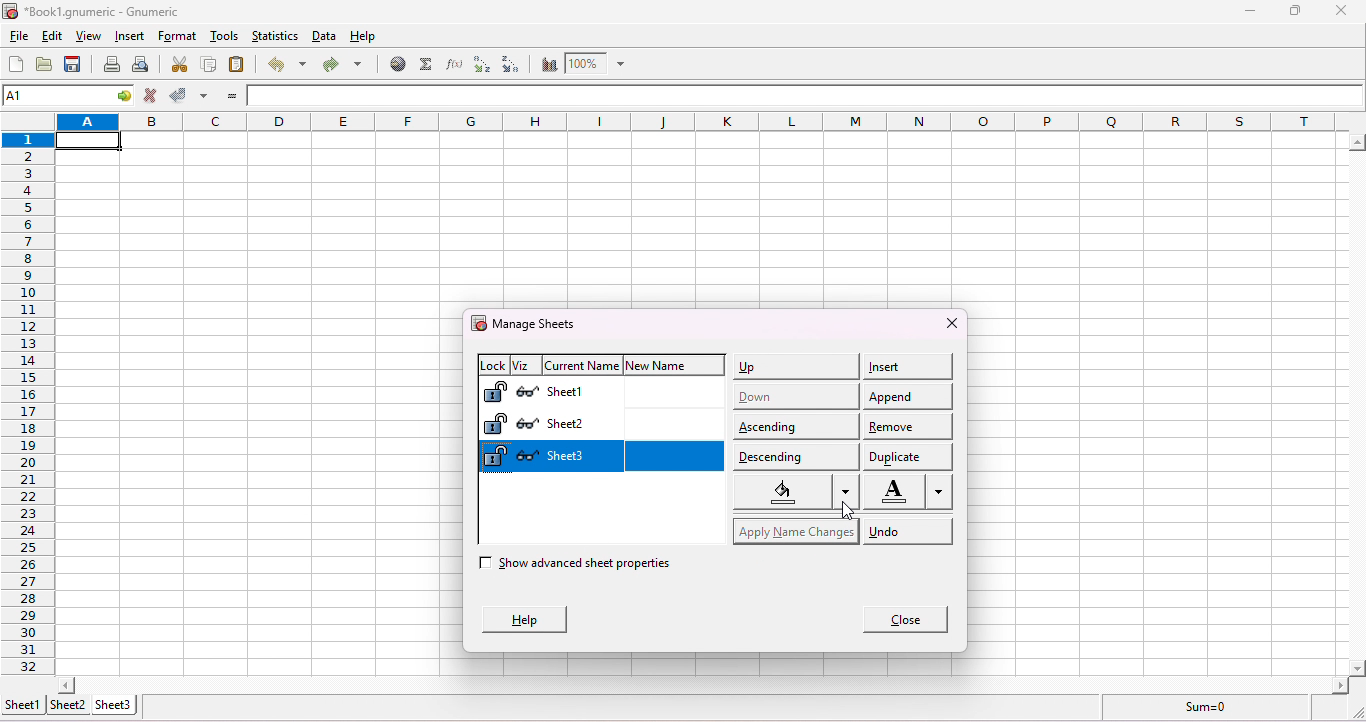  Describe the element at coordinates (794, 423) in the screenshot. I see `ascending` at that location.